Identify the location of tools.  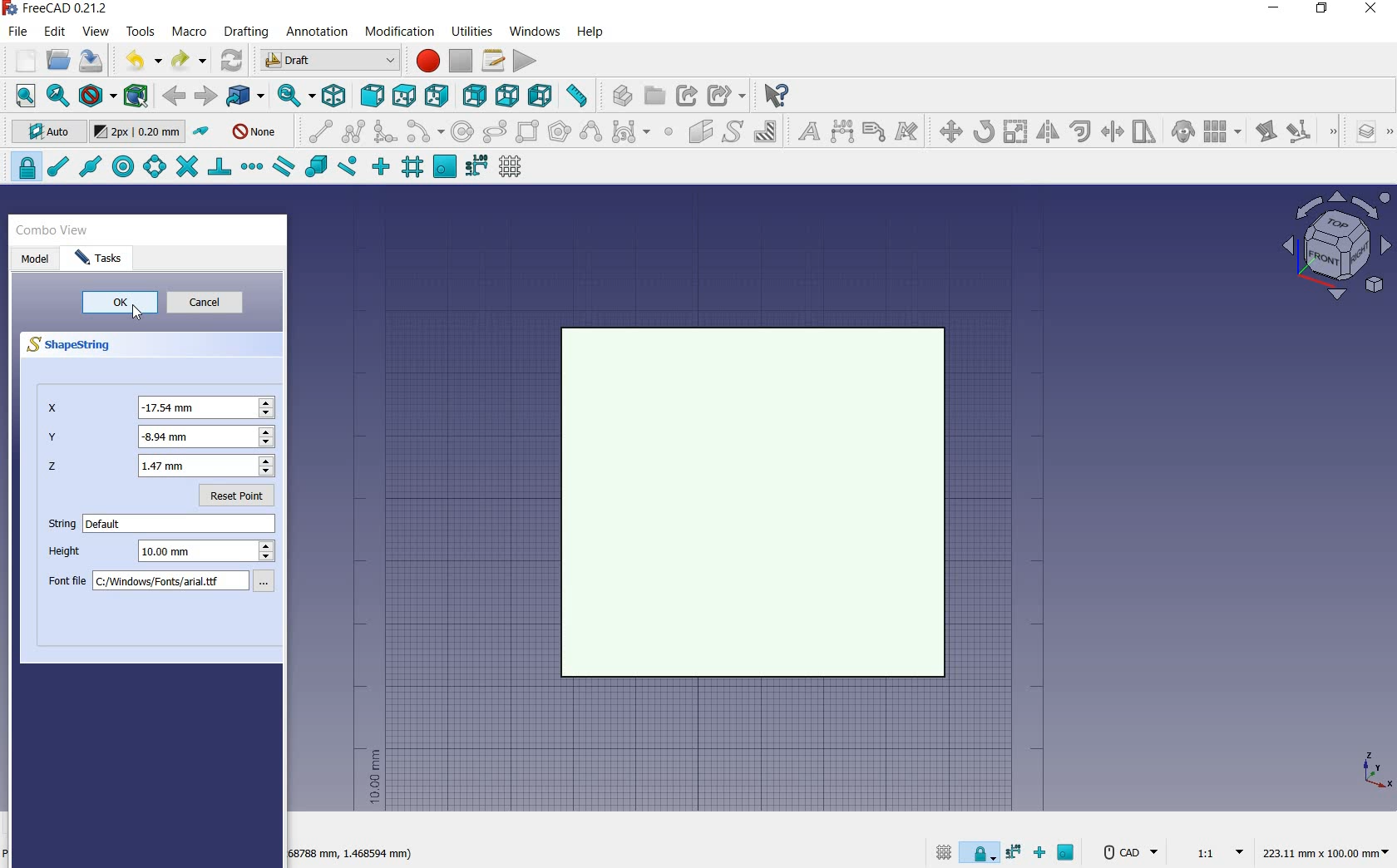
(141, 31).